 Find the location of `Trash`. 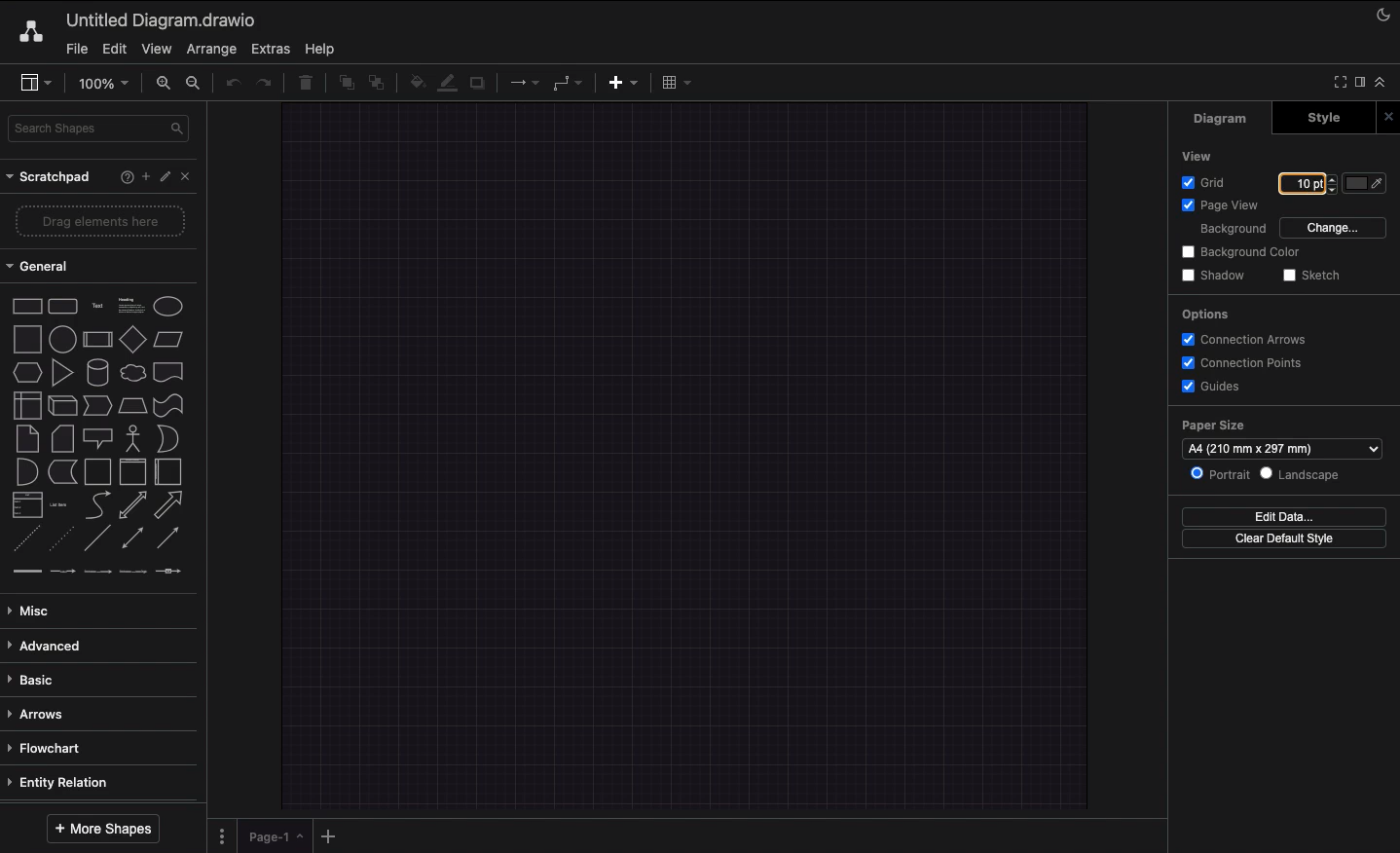

Trash is located at coordinates (306, 85).